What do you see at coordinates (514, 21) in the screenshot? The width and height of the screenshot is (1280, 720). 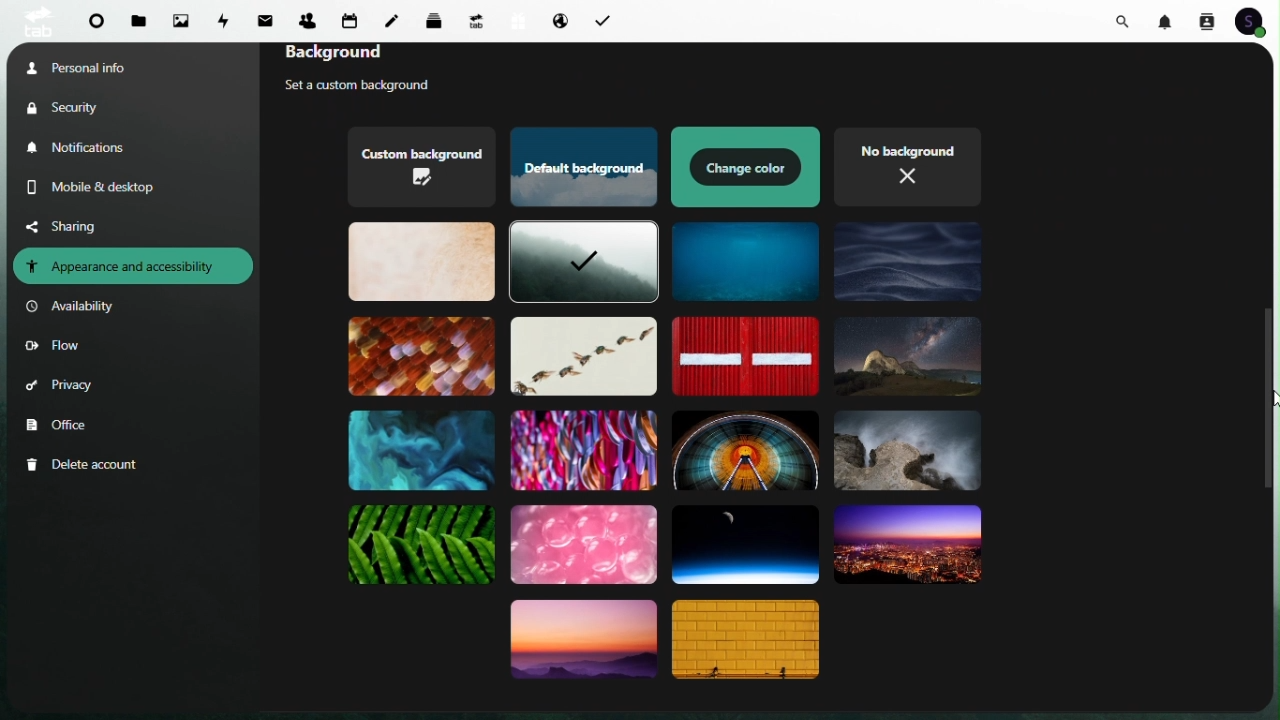 I see `free trail` at bounding box center [514, 21].